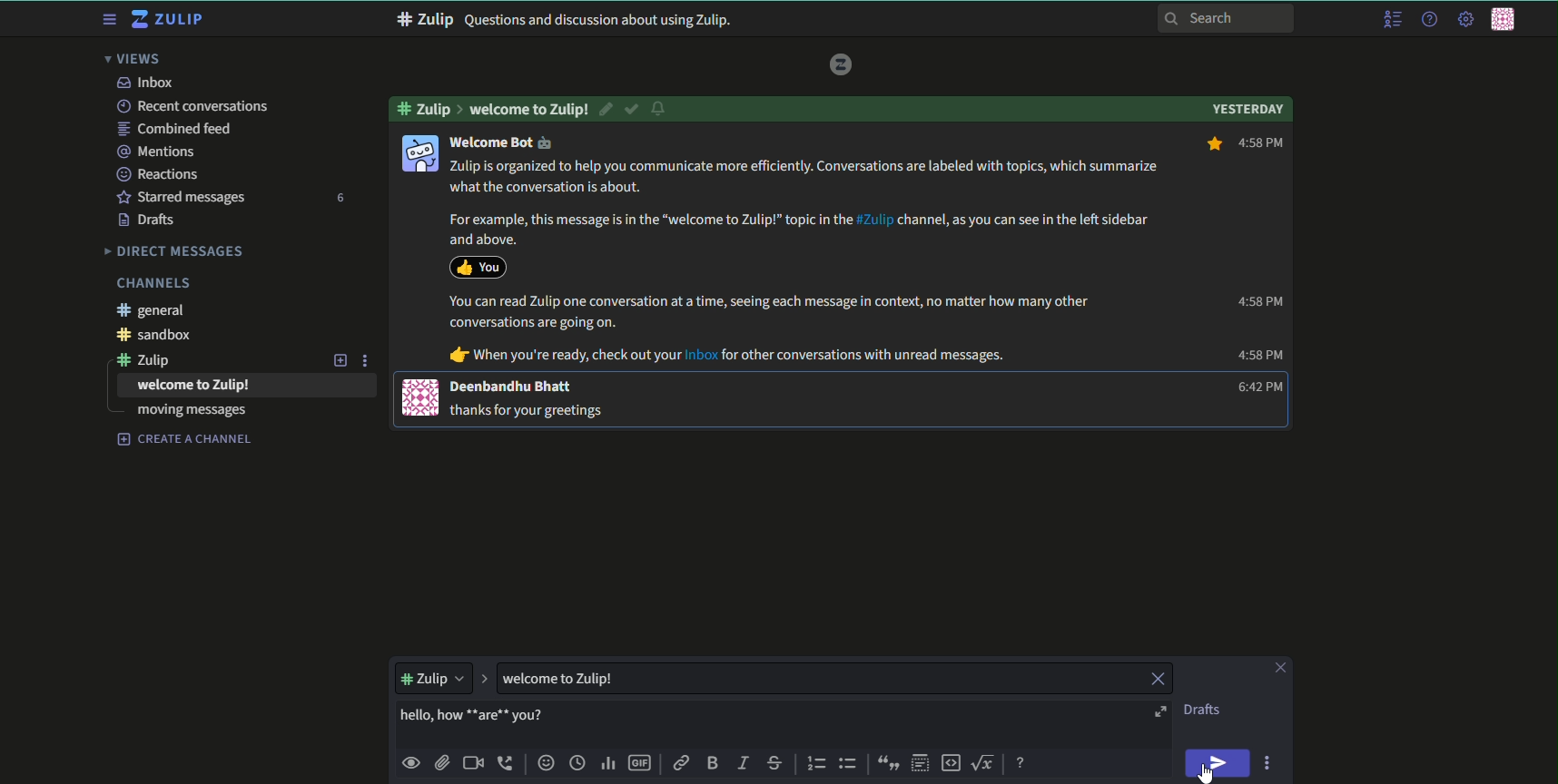 The image size is (1558, 784). What do you see at coordinates (185, 439) in the screenshot?
I see `create a channel` at bounding box center [185, 439].